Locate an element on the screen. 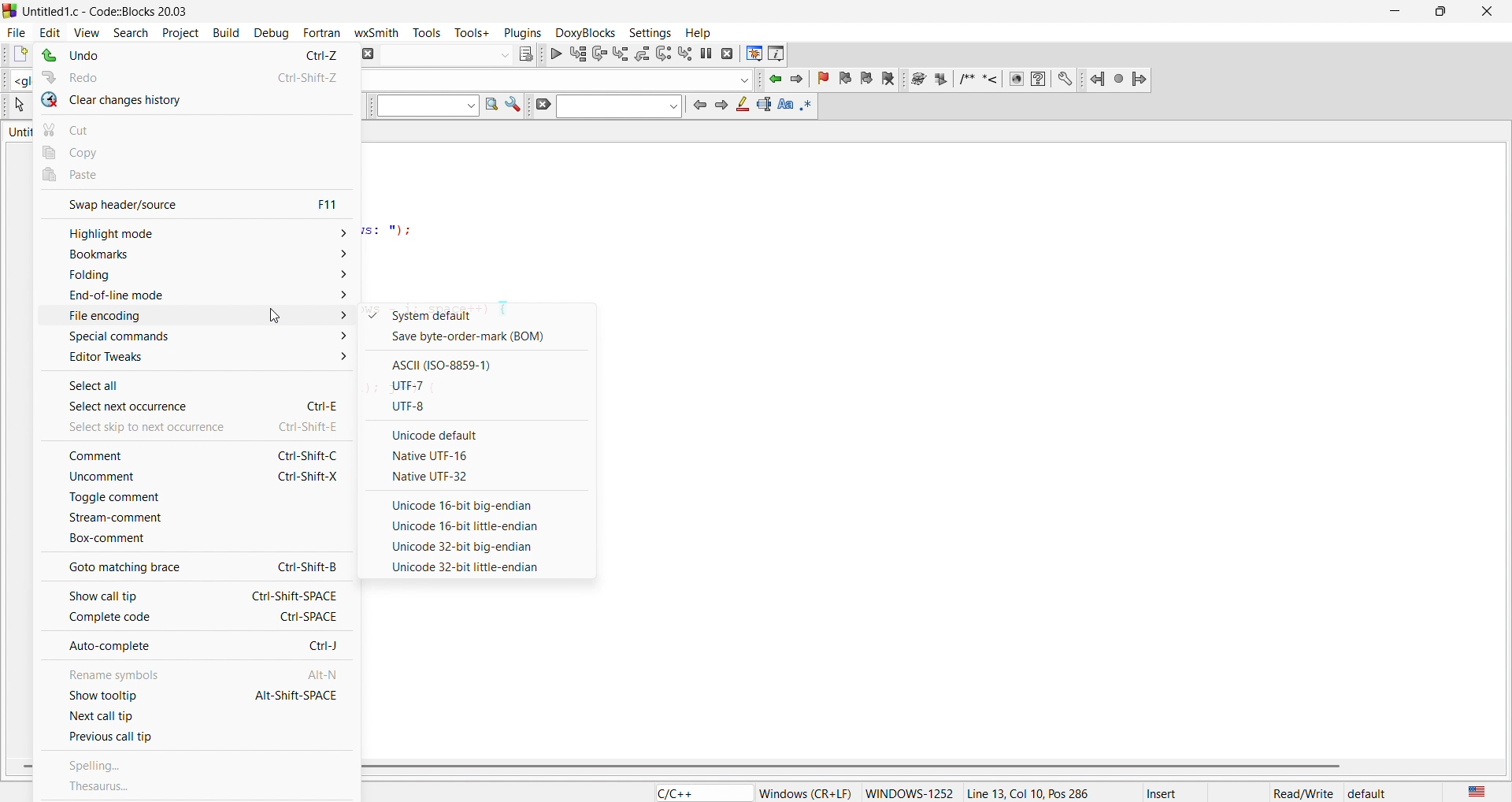  jump back is located at coordinates (1097, 80).